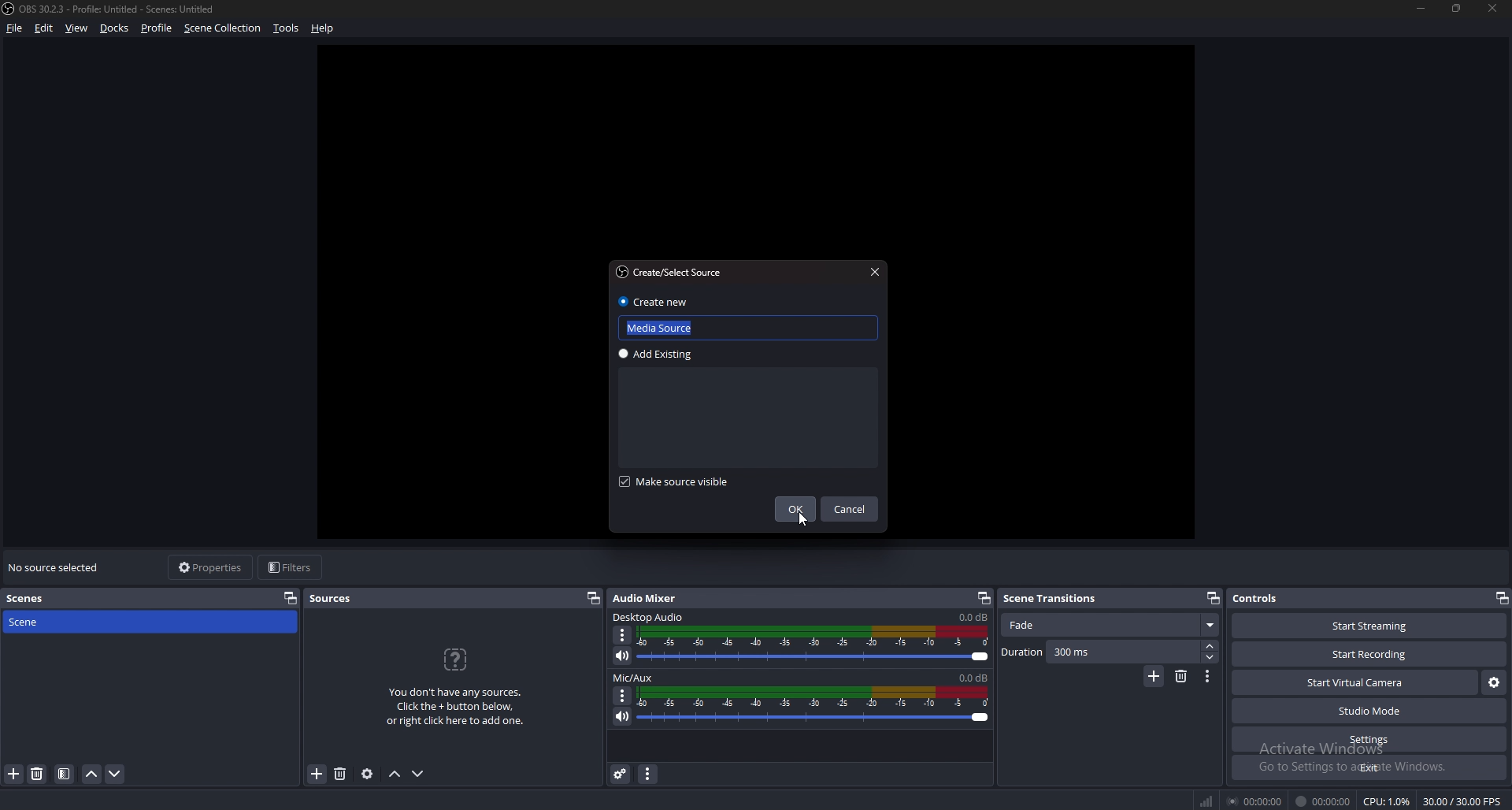 This screenshot has width=1512, height=810. I want to click on Edit, so click(46, 28).